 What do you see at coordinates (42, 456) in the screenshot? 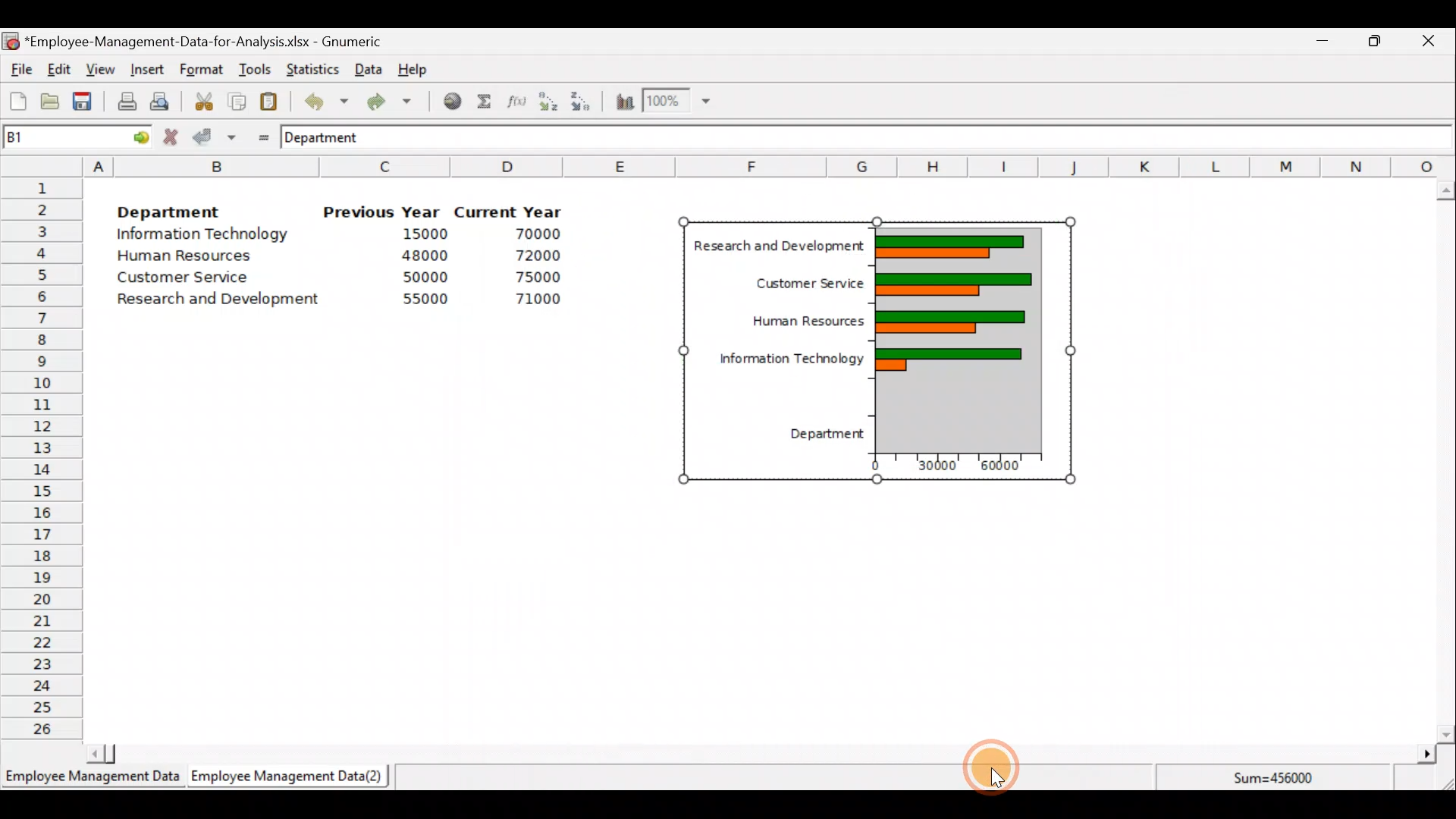
I see `Rows` at bounding box center [42, 456].